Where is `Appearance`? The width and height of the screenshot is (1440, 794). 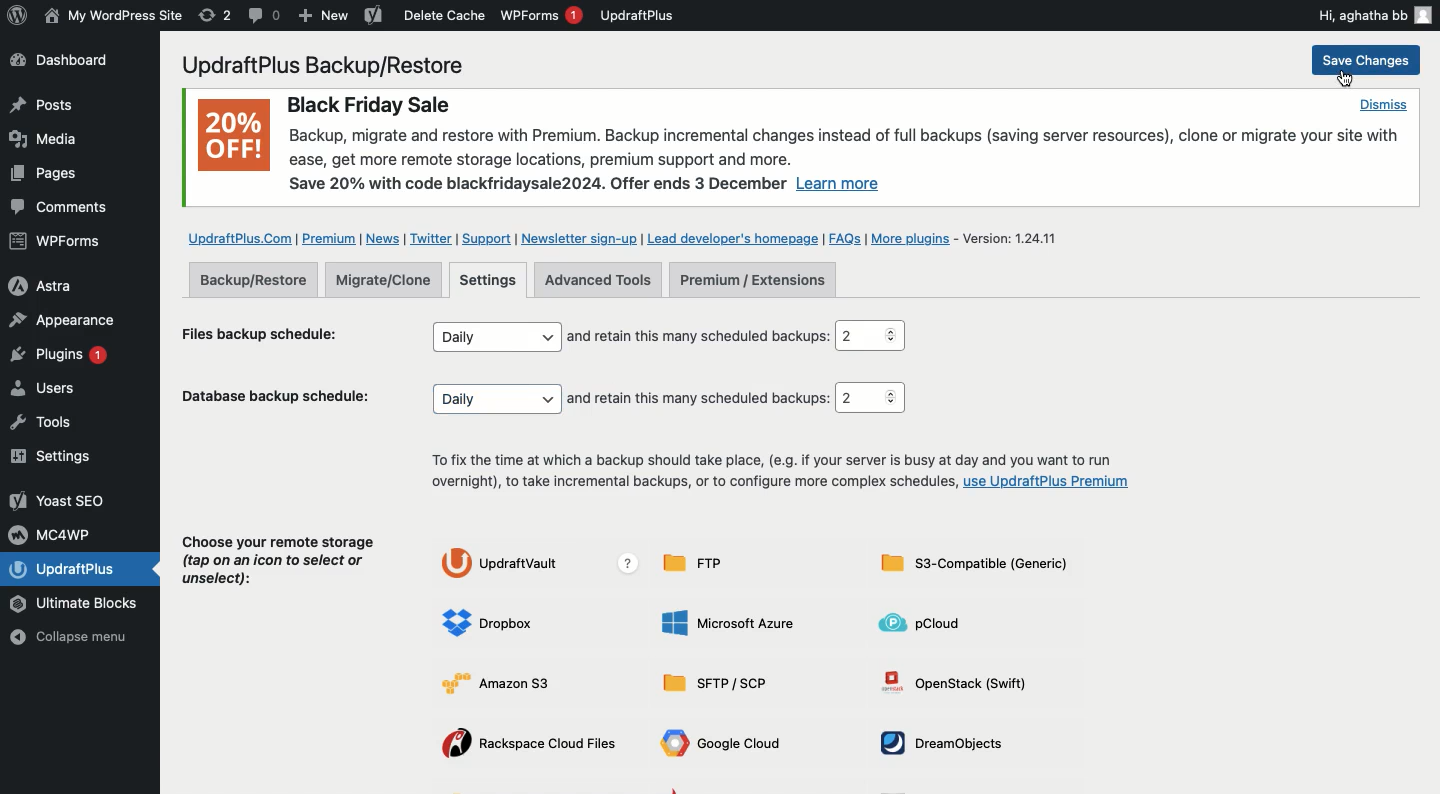
Appearance is located at coordinates (62, 319).